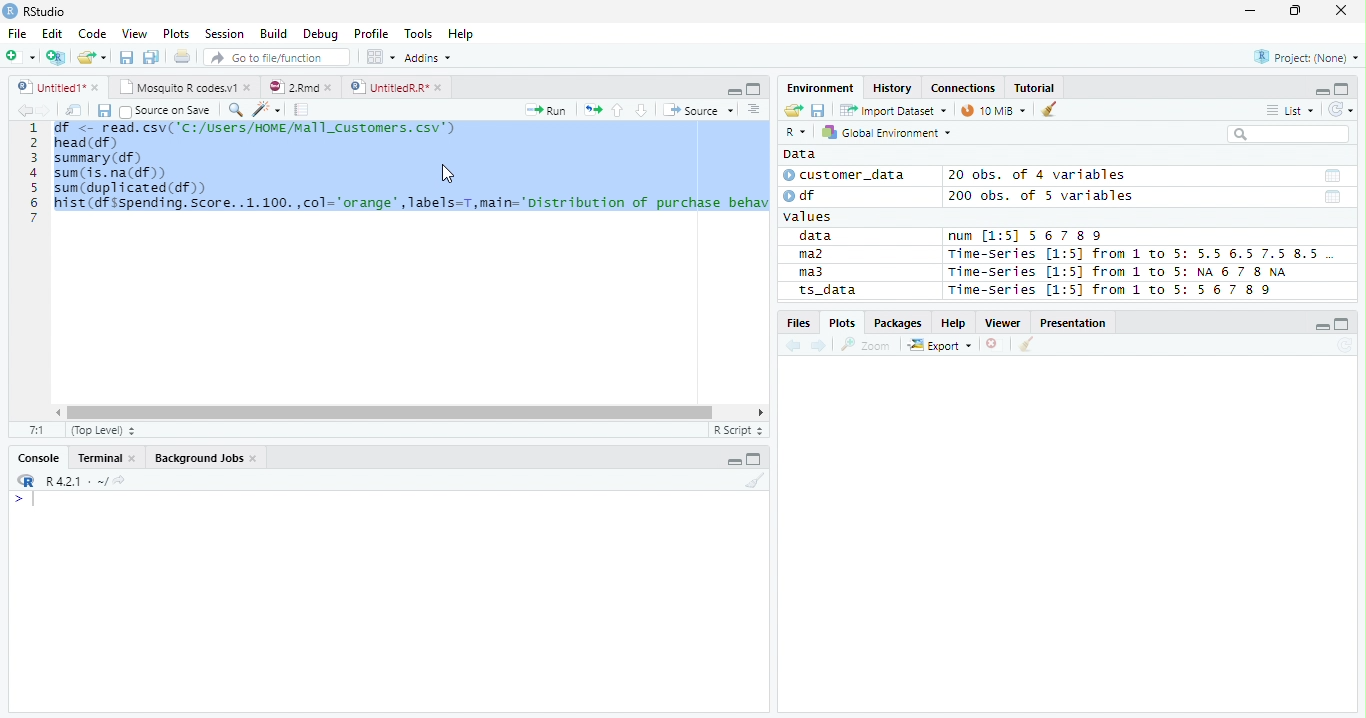  What do you see at coordinates (897, 324) in the screenshot?
I see `Packages` at bounding box center [897, 324].